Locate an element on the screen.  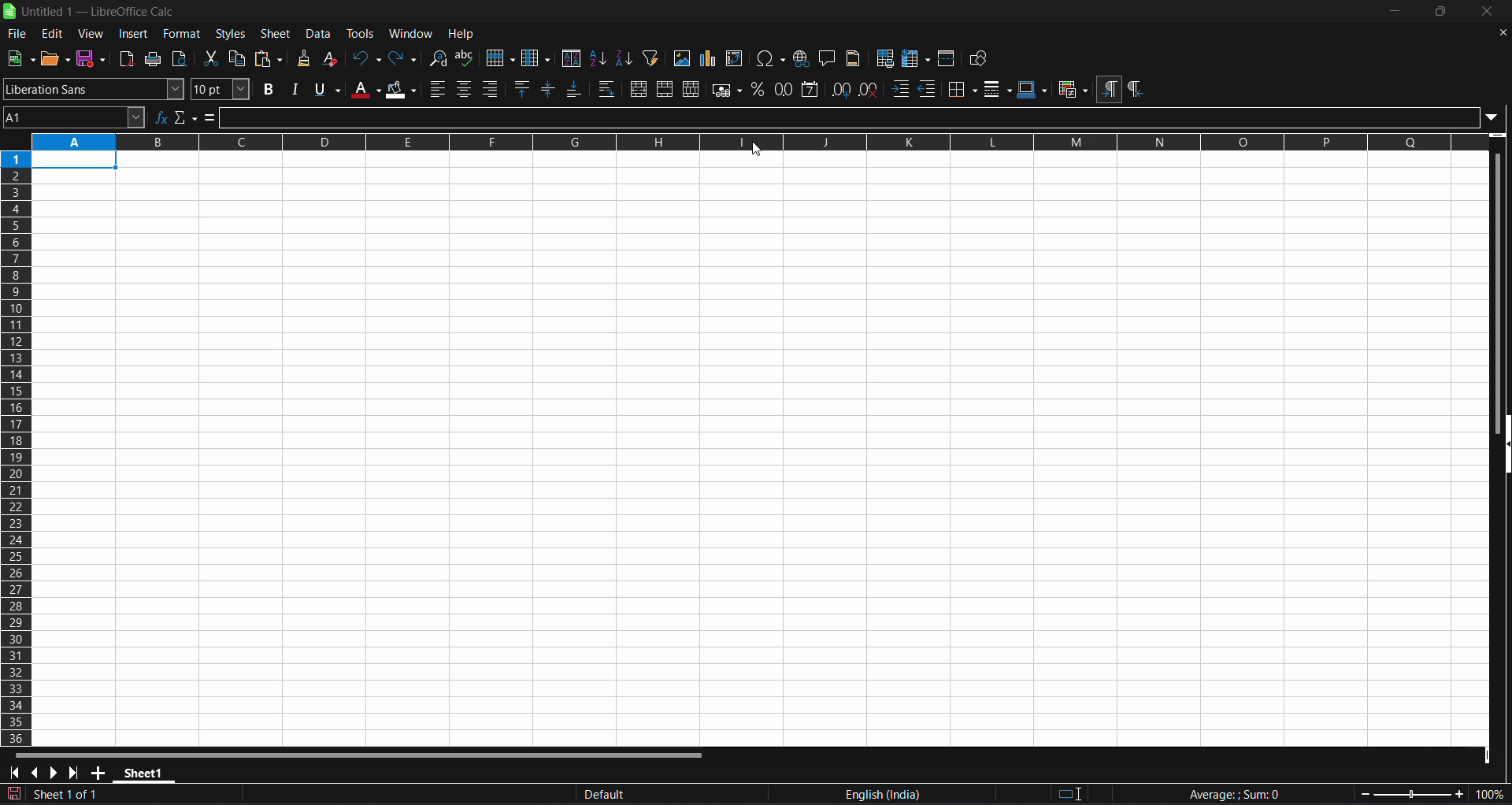
align bottom is located at coordinates (576, 88).